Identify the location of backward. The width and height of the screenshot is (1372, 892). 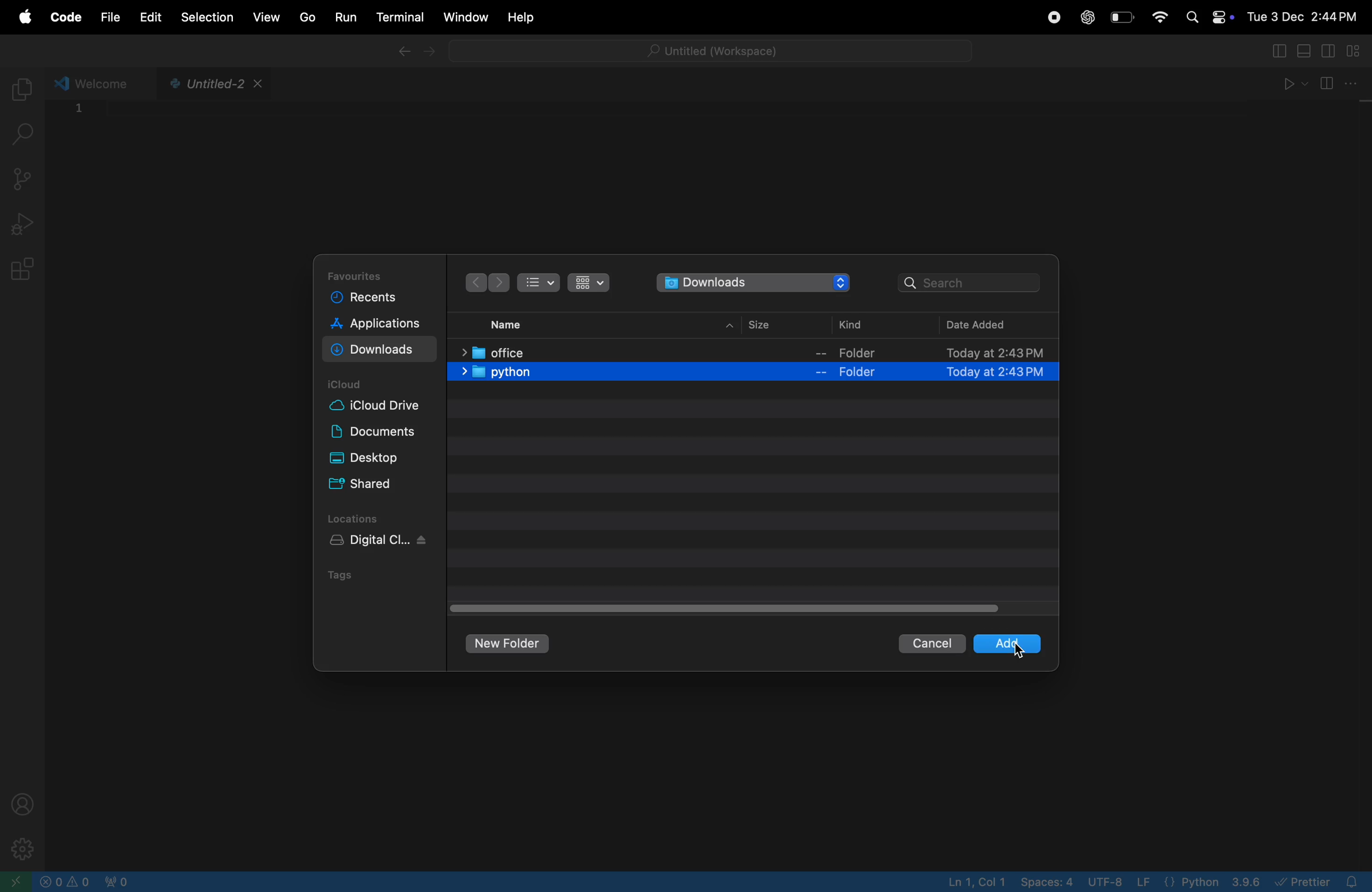
(404, 52).